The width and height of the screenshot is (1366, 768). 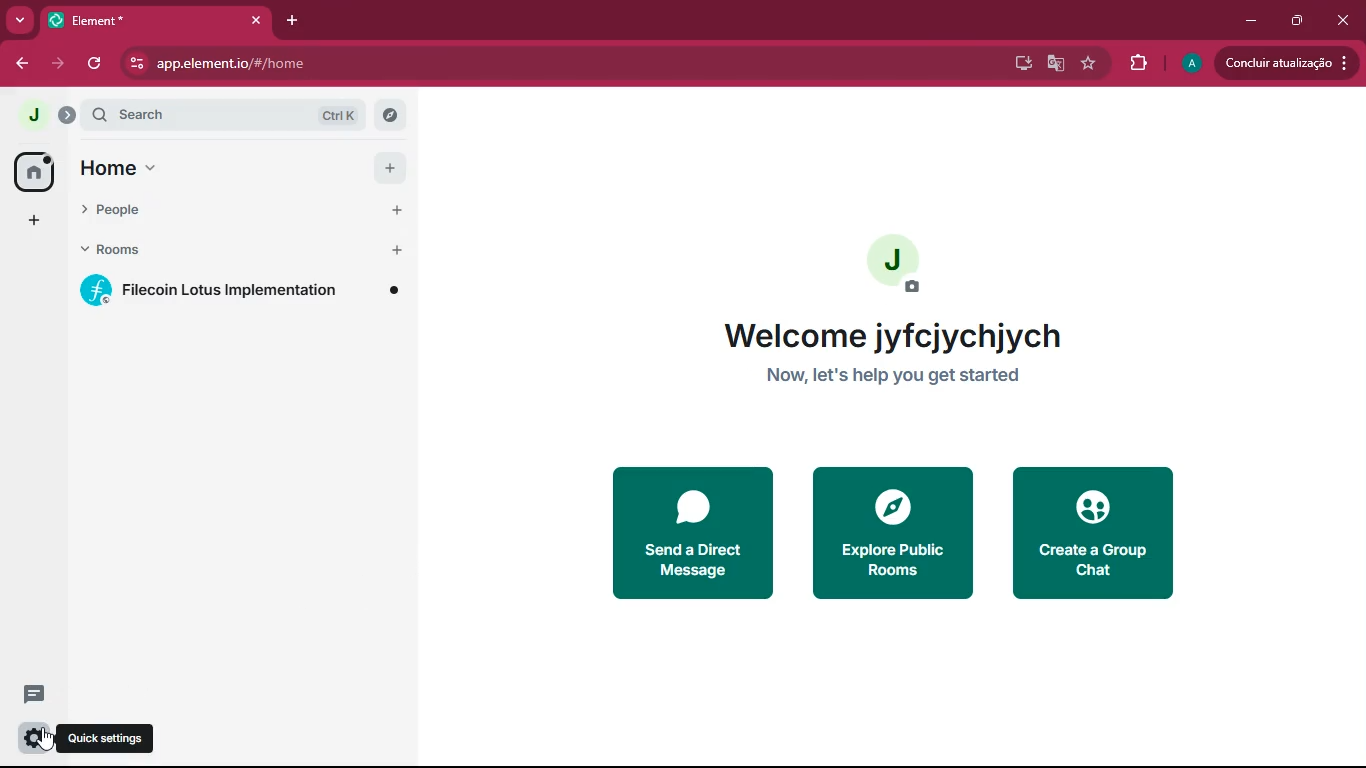 I want to click on add profile picture, so click(x=903, y=263).